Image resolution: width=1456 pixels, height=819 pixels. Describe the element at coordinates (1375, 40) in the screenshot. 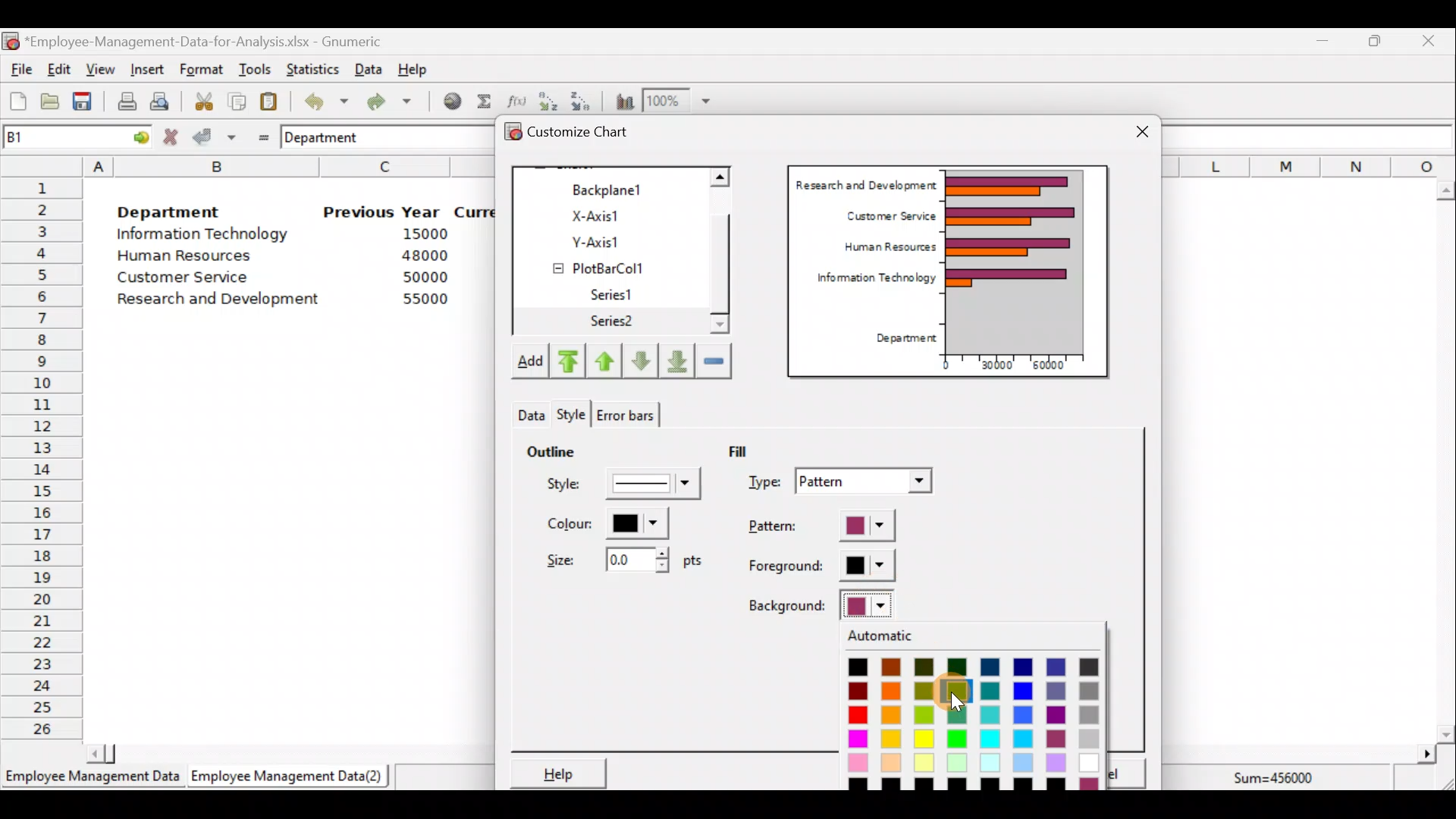

I see `Maximize` at that location.